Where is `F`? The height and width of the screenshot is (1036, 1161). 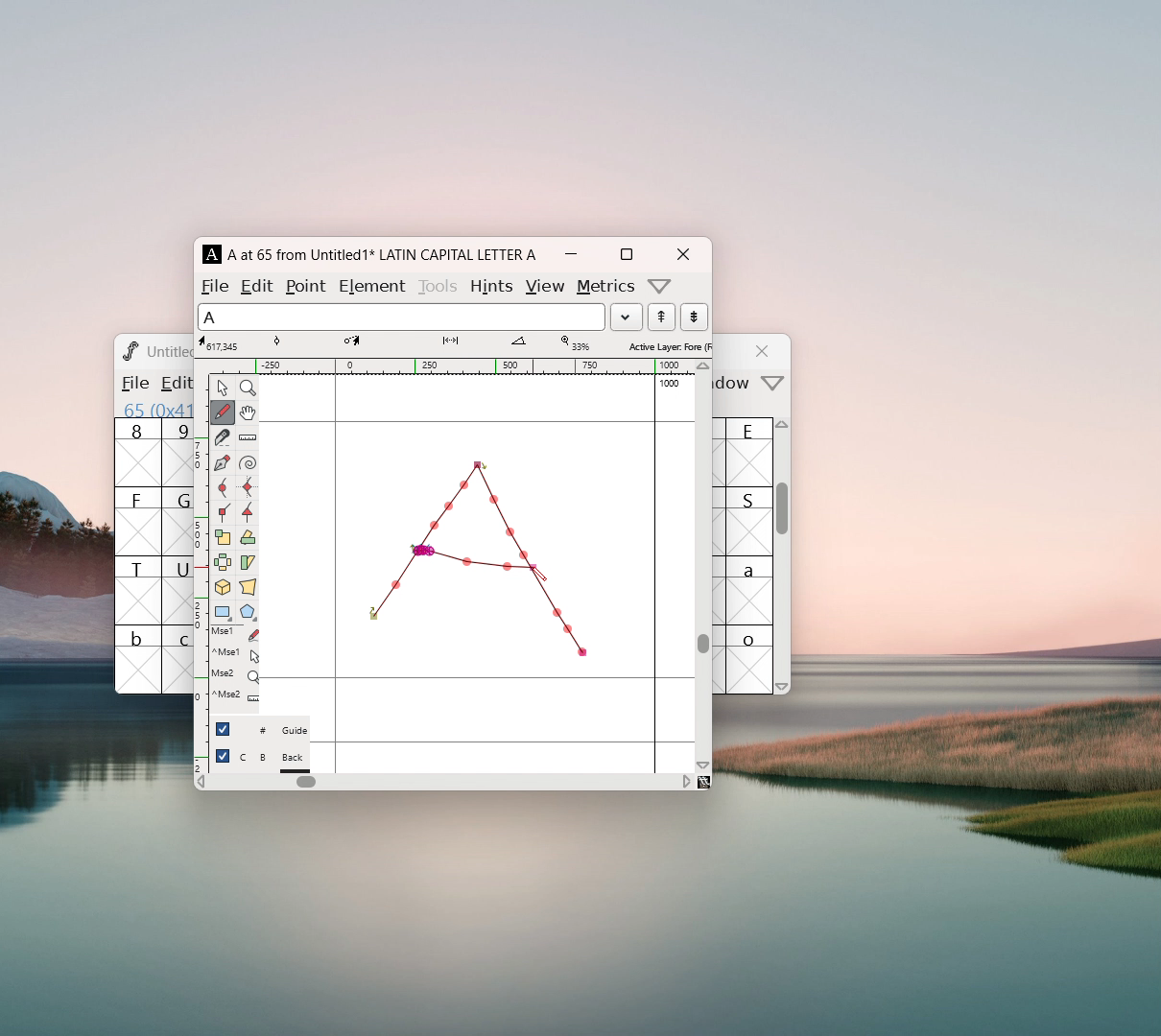 F is located at coordinates (138, 521).